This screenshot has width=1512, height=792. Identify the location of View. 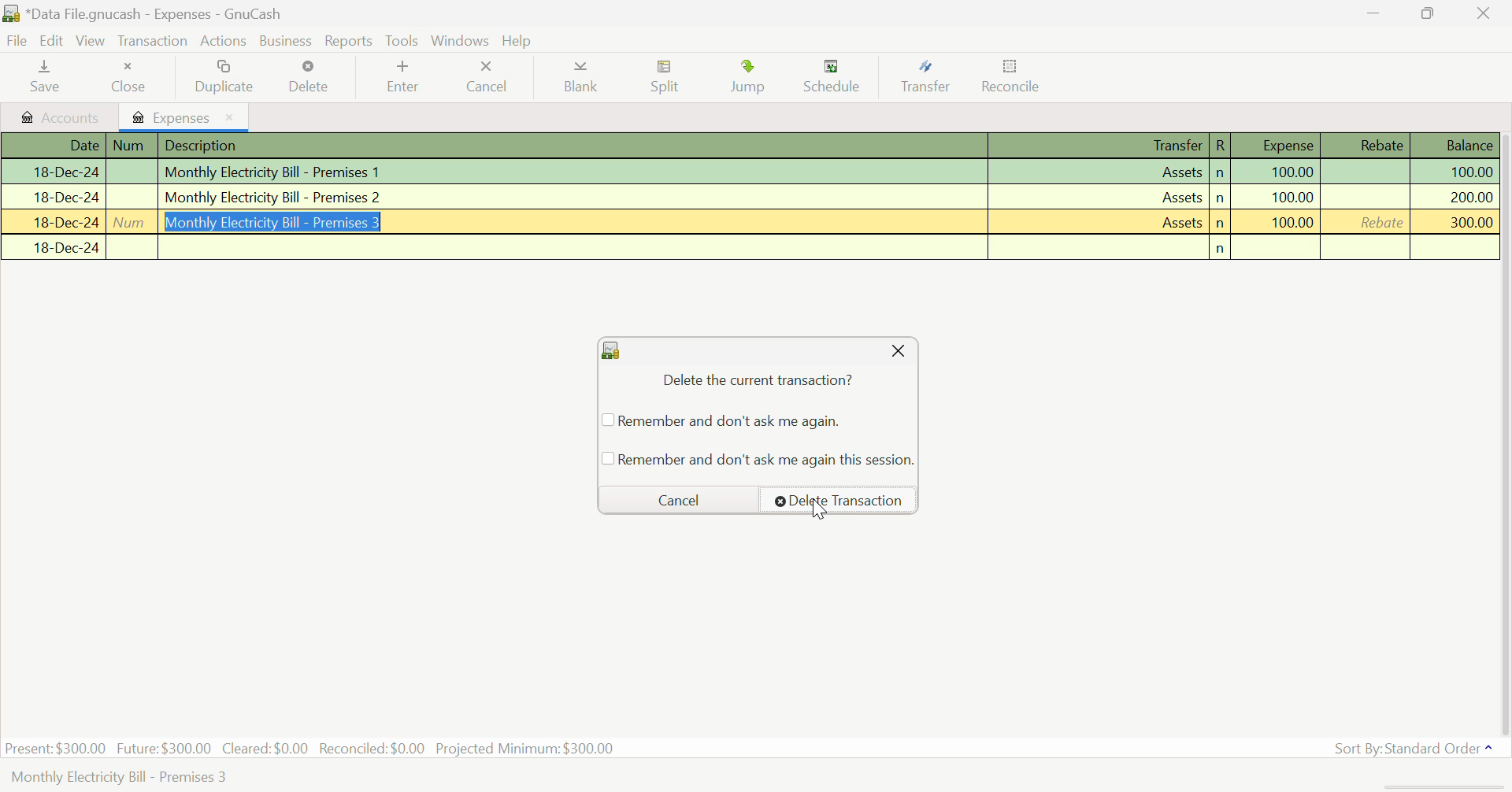
(91, 41).